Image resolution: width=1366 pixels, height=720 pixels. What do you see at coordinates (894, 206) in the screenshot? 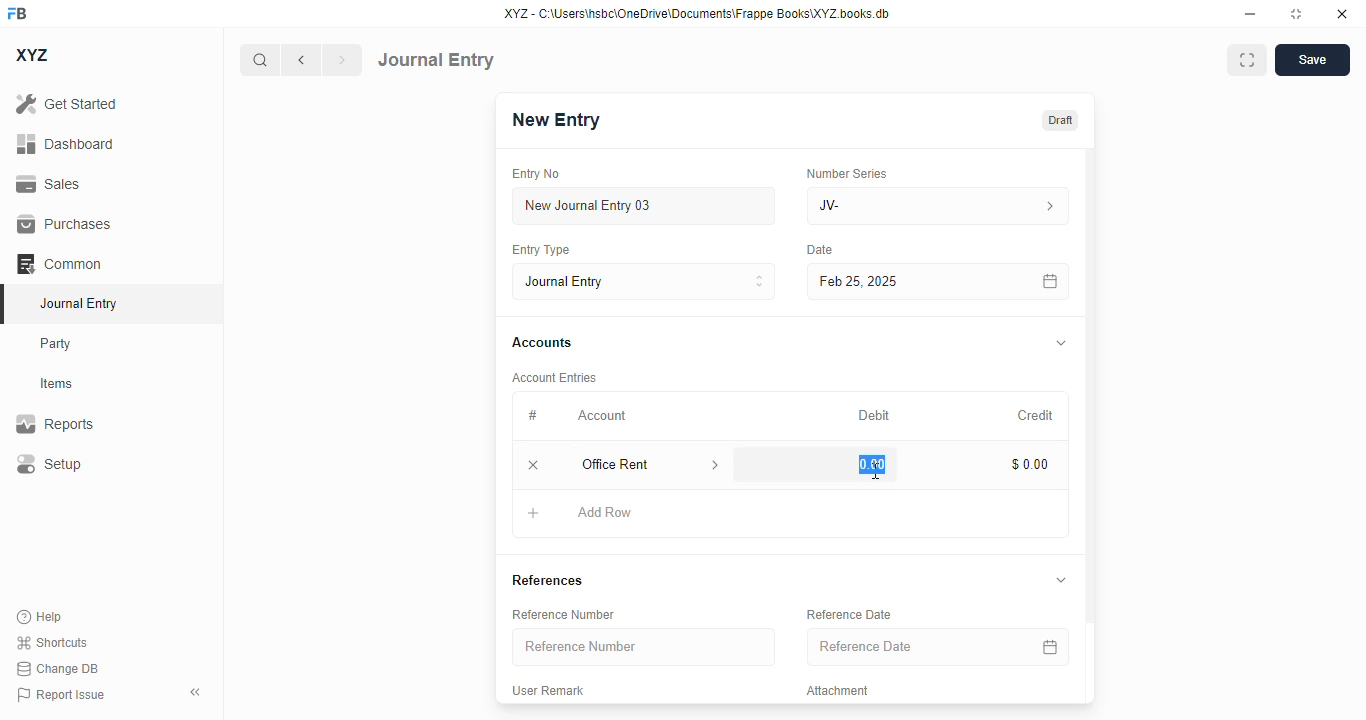
I see `JV-` at bounding box center [894, 206].